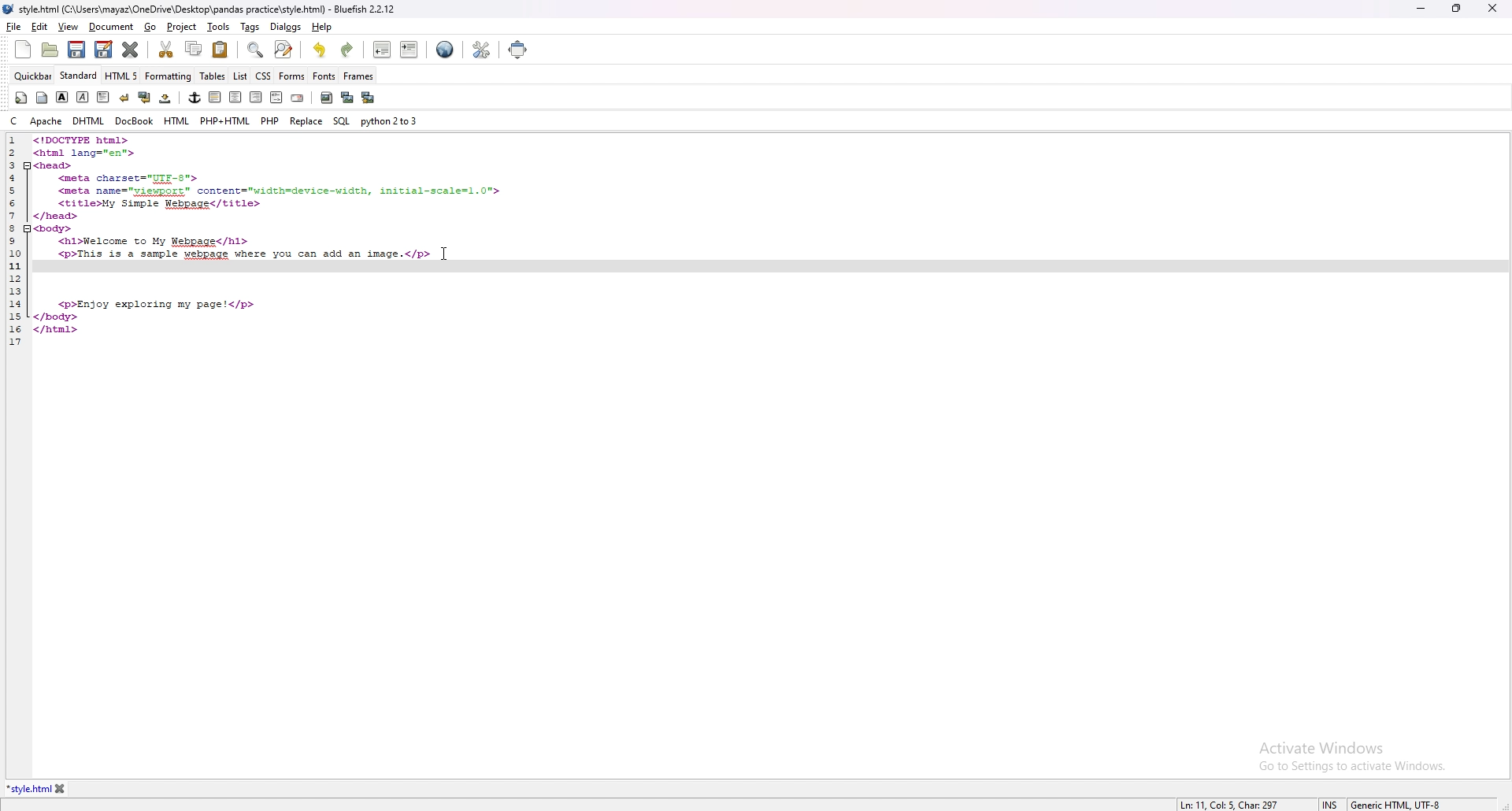 The image size is (1512, 811). I want to click on c, so click(16, 120).